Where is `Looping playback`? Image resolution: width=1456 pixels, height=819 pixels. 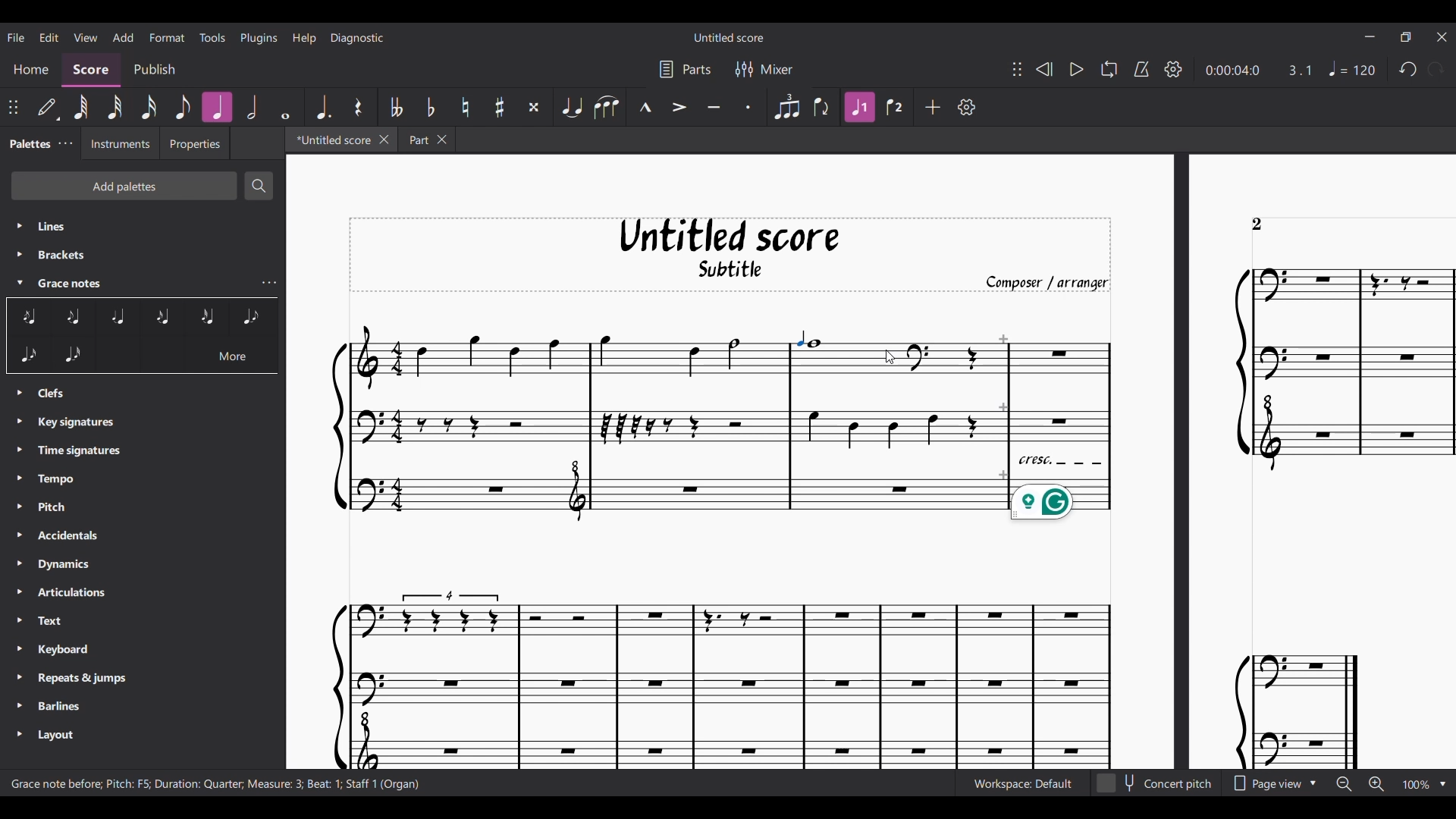 Looping playback is located at coordinates (1109, 69).